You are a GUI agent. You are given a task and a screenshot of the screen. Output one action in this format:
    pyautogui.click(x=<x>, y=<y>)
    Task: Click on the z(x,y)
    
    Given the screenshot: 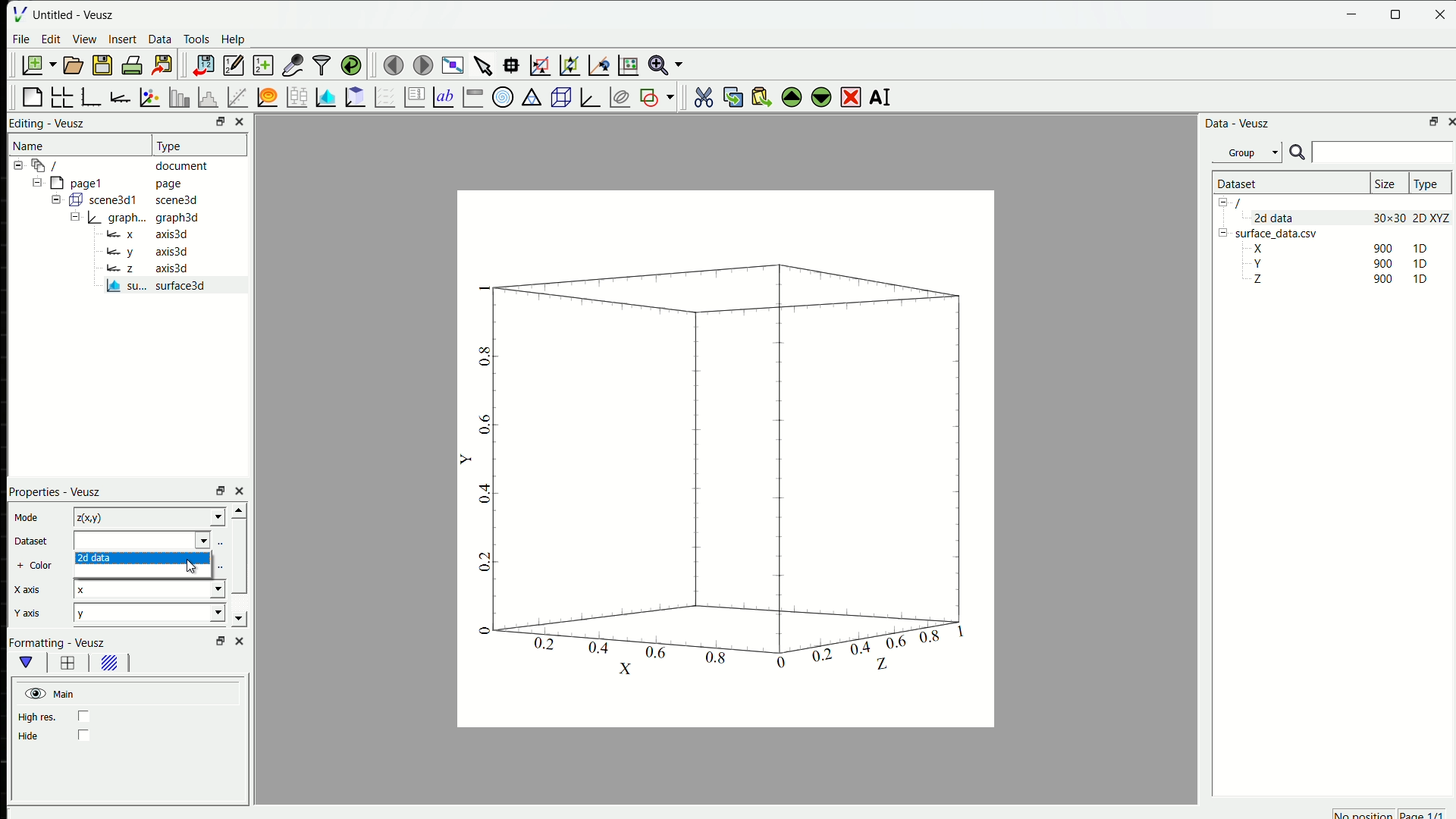 What is the action you would take?
    pyautogui.click(x=140, y=516)
    